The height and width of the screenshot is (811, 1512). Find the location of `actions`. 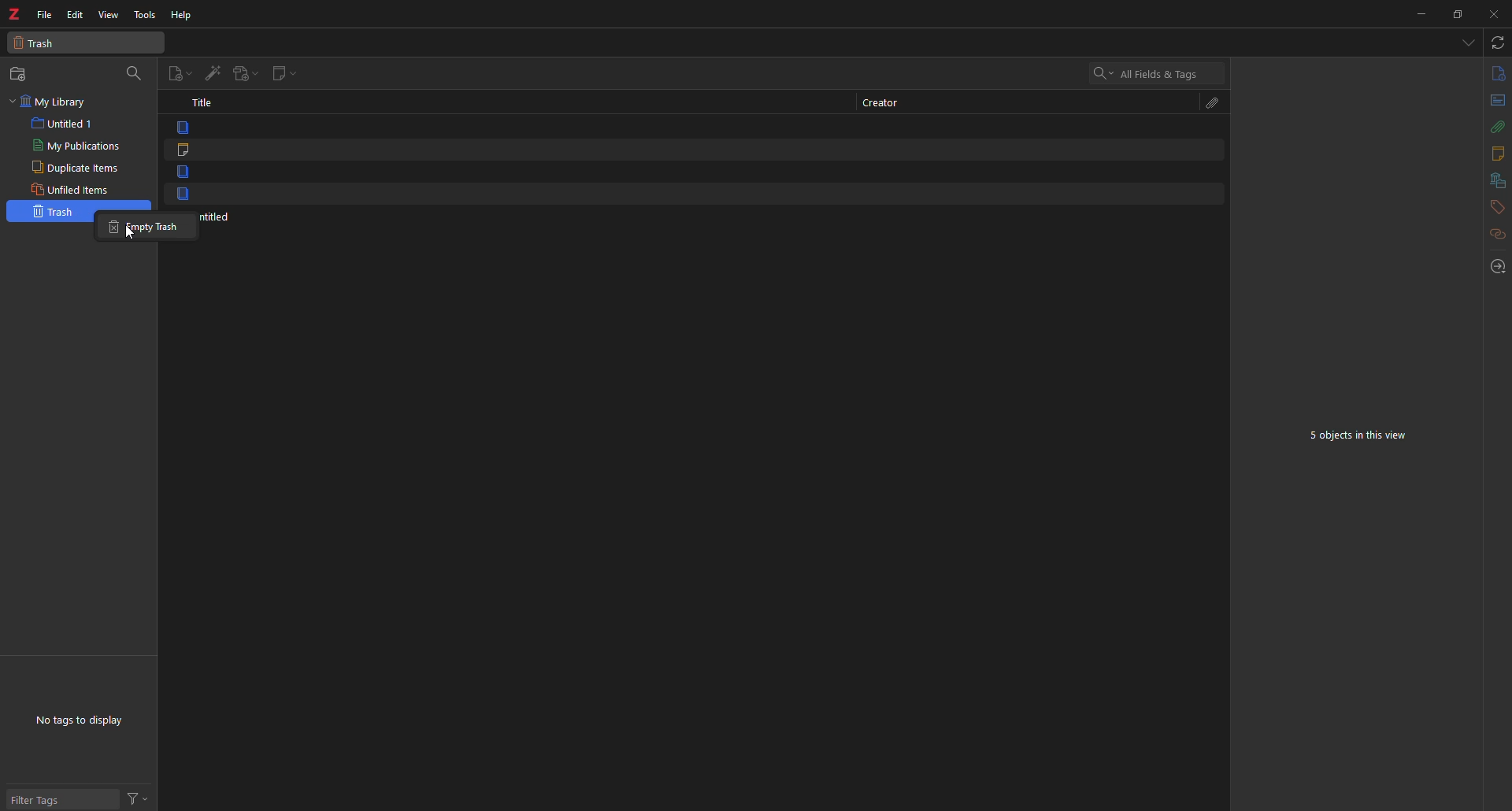

actions is located at coordinates (138, 794).